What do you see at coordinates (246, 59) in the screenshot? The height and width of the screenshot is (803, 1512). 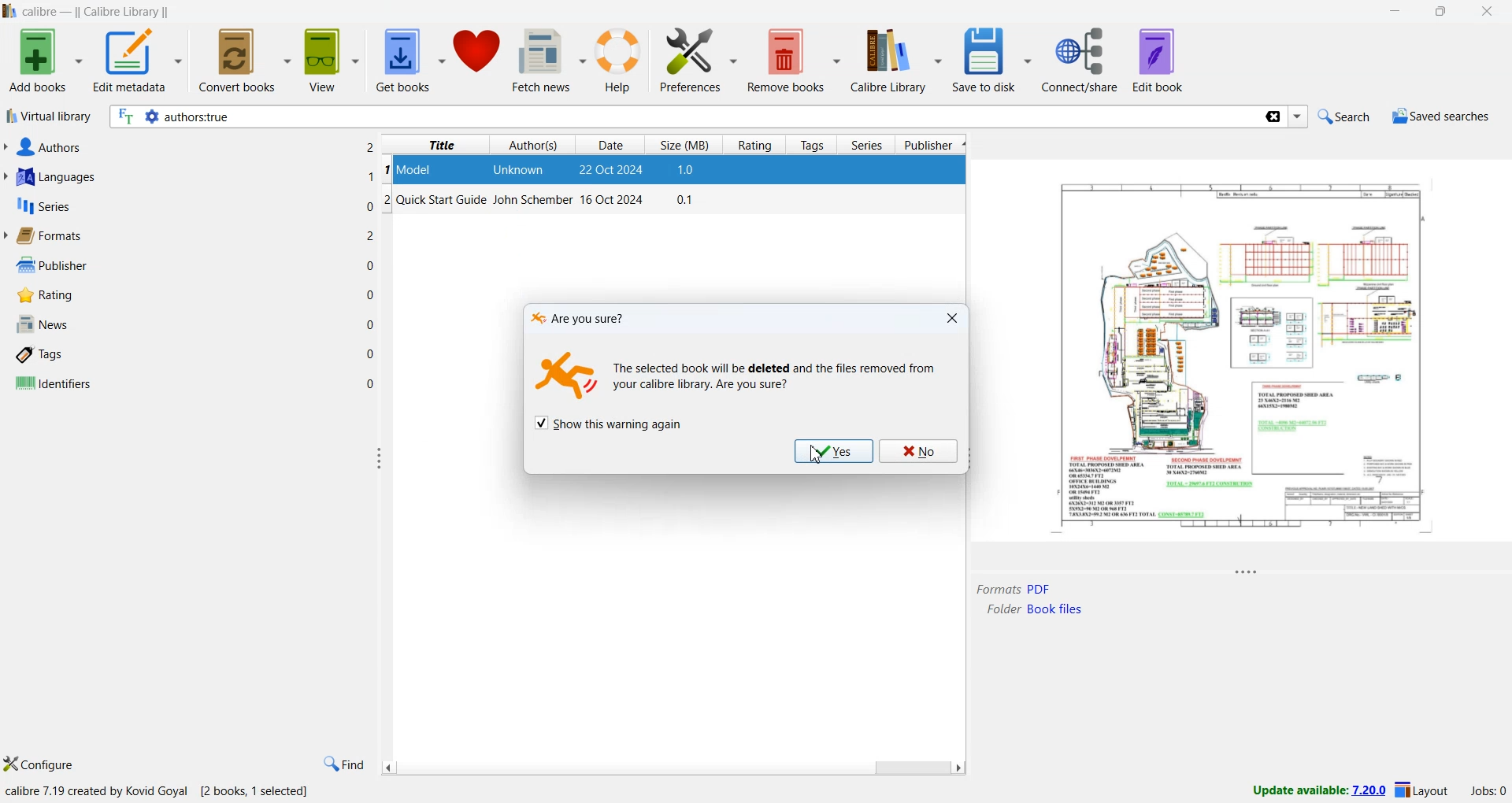 I see `convert books` at bounding box center [246, 59].